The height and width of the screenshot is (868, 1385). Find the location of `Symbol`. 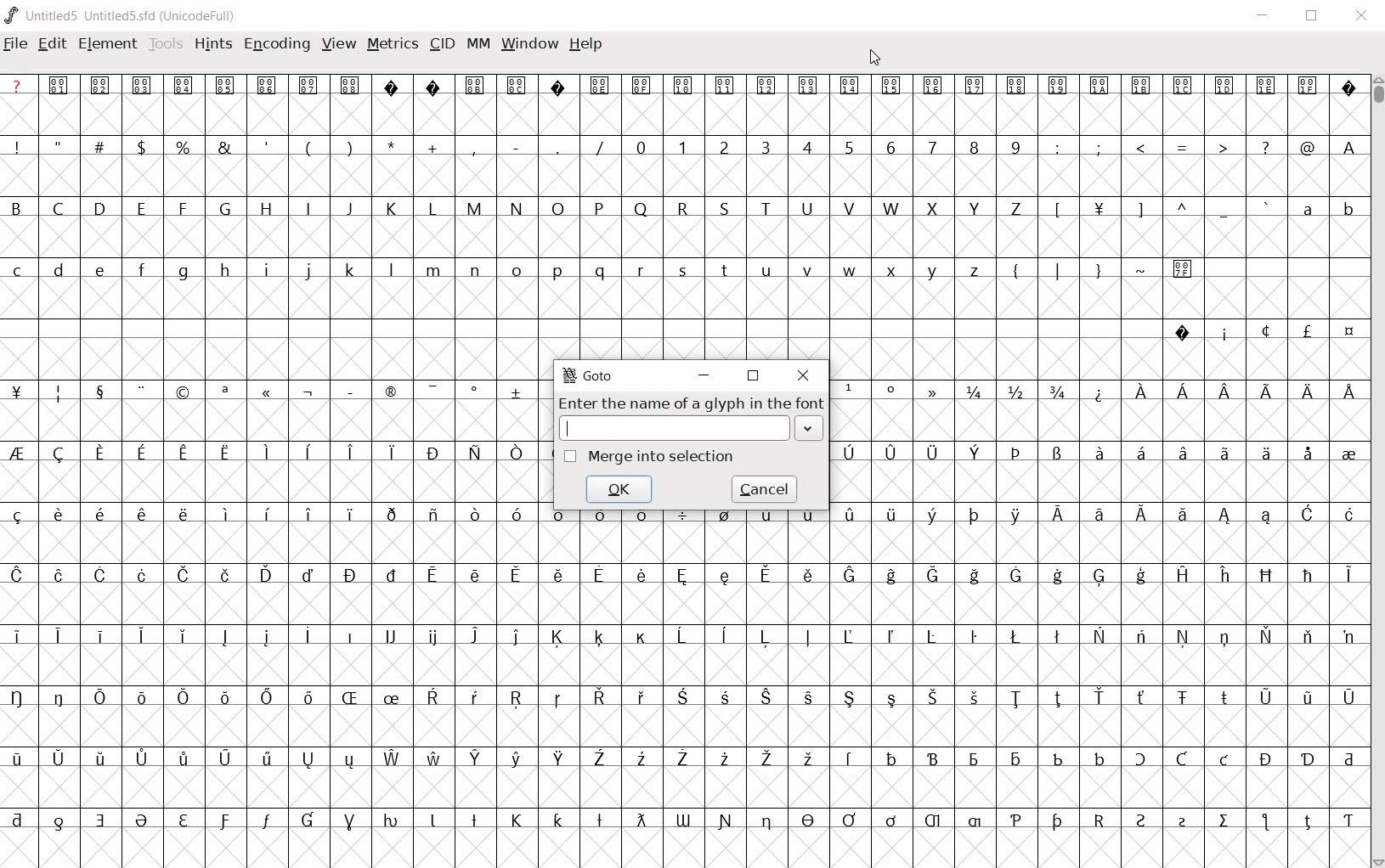

Symbol is located at coordinates (100, 760).